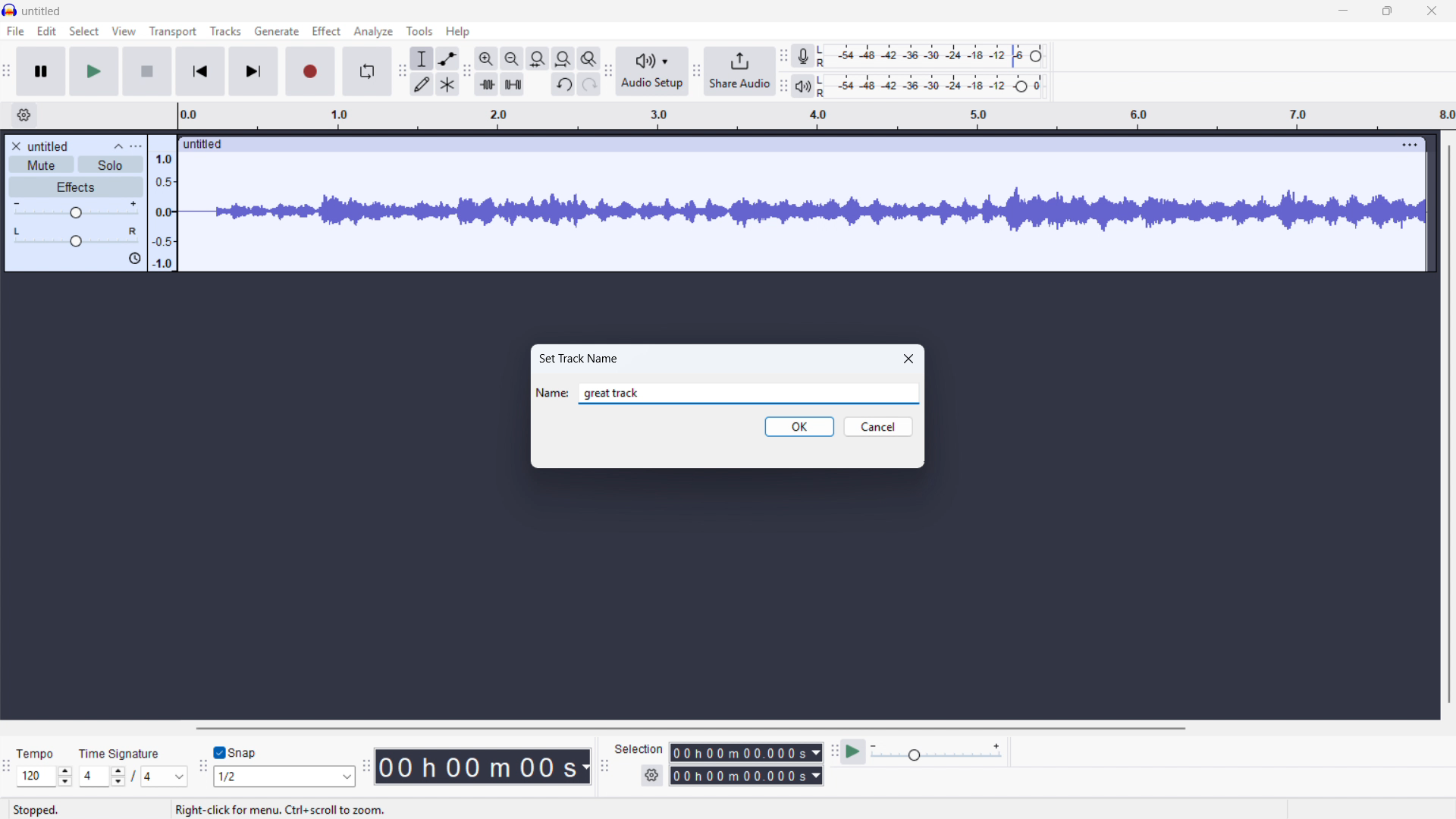 The image size is (1456, 819). I want to click on Transport , so click(172, 32).